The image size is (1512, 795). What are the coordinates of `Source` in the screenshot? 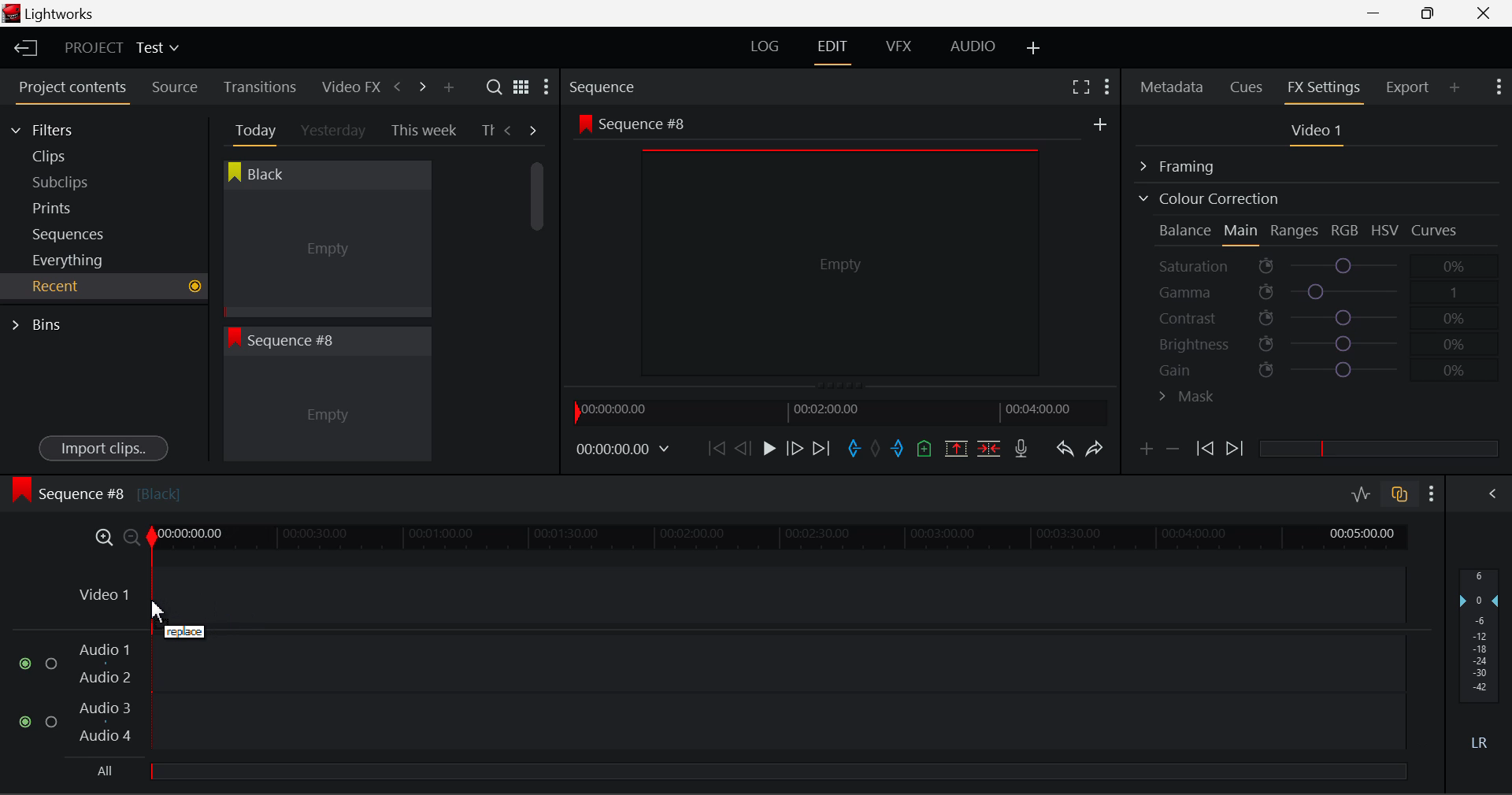 It's located at (175, 87).